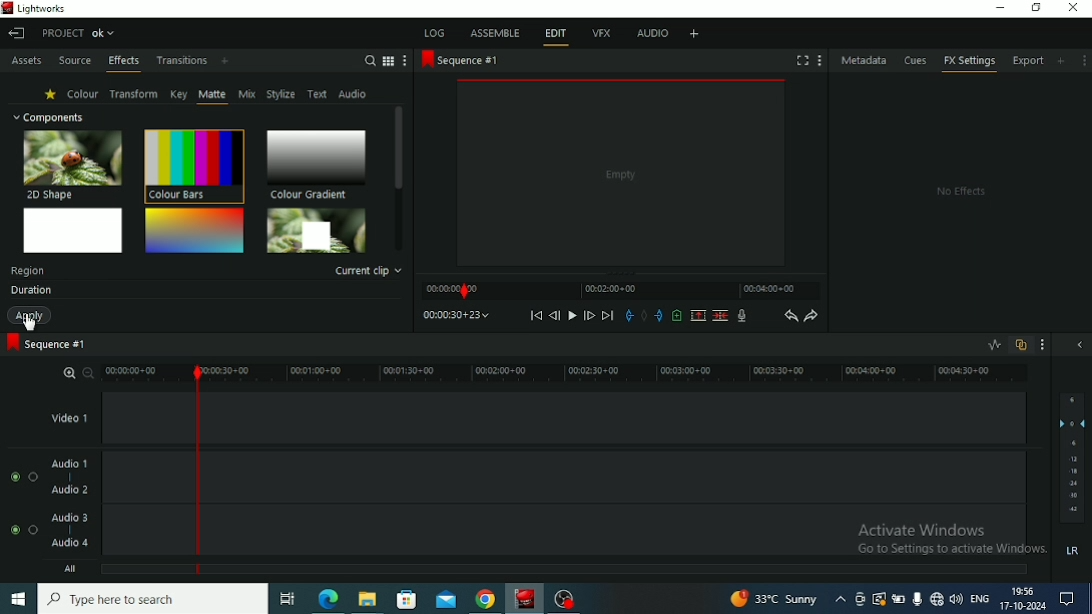 The height and width of the screenshot is (614, 1092). Describe the element at coordinates (486, 598) in the screenshot. I see `Chrome` at that location.